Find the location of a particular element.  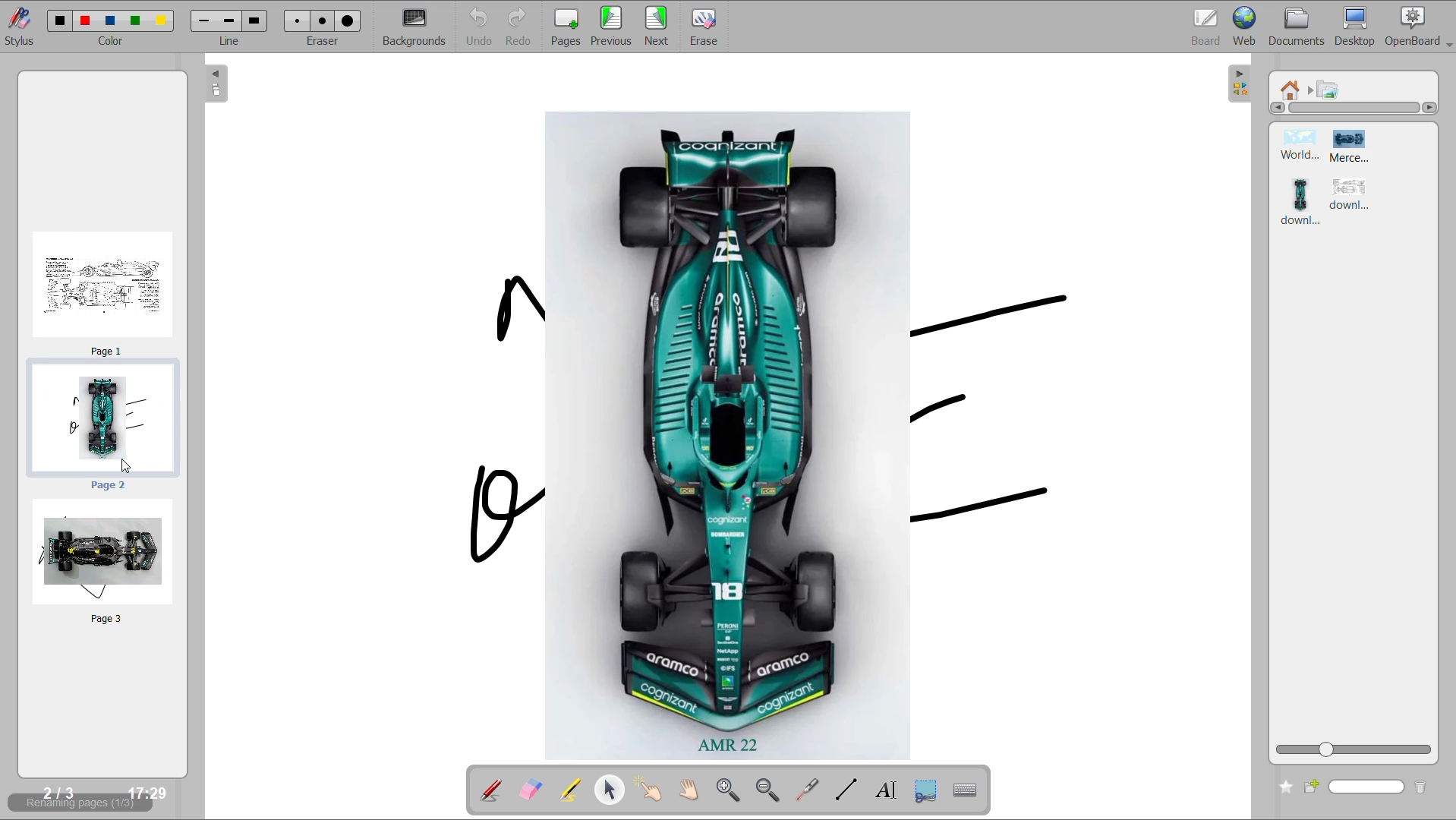

zoom out is located at coordinates (771, 790).